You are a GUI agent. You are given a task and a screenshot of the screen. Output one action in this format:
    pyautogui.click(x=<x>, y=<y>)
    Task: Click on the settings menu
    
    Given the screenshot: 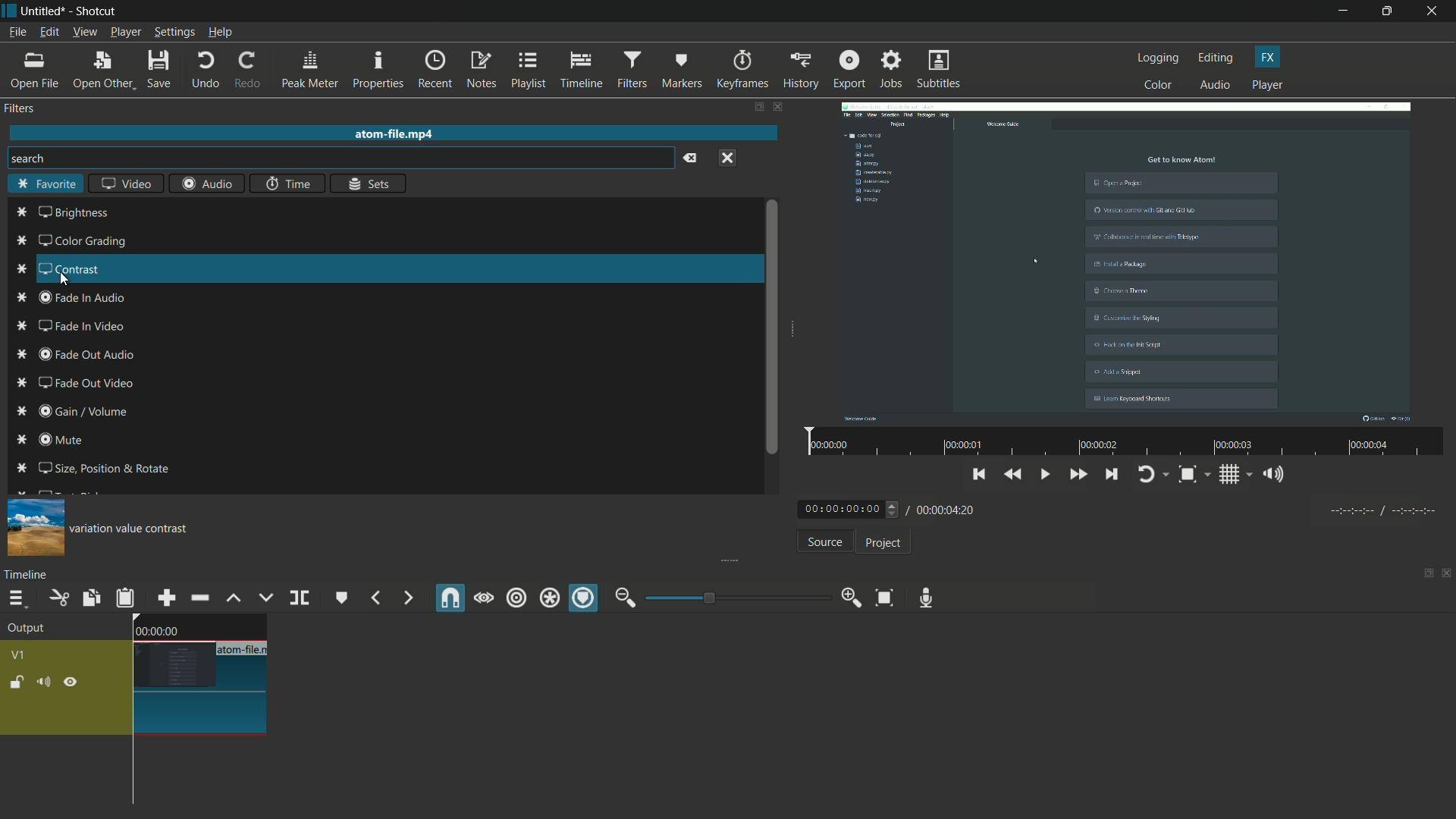 What is the action you would take?
    pyautogui.click(x=175, y=33)
    